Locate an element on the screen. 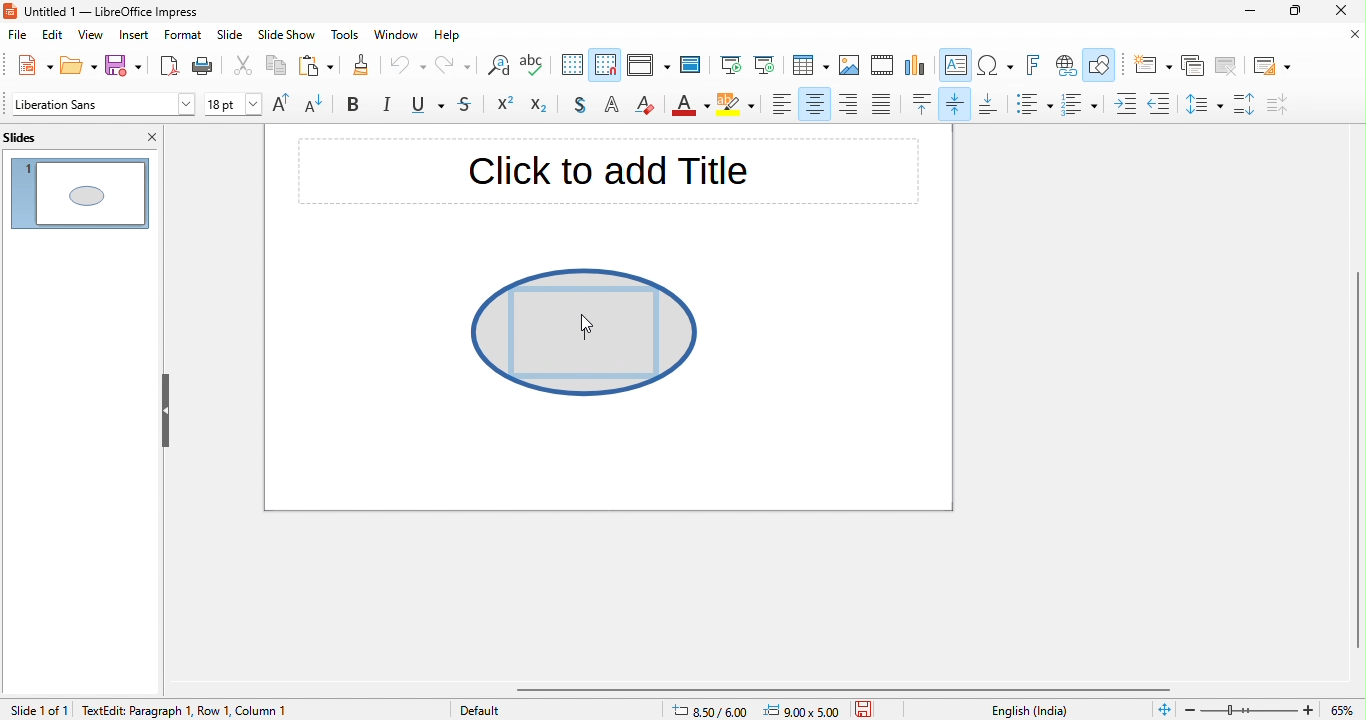 This screenshot has height=720, width=1366. display to grid is located at coordinates (573, 66).